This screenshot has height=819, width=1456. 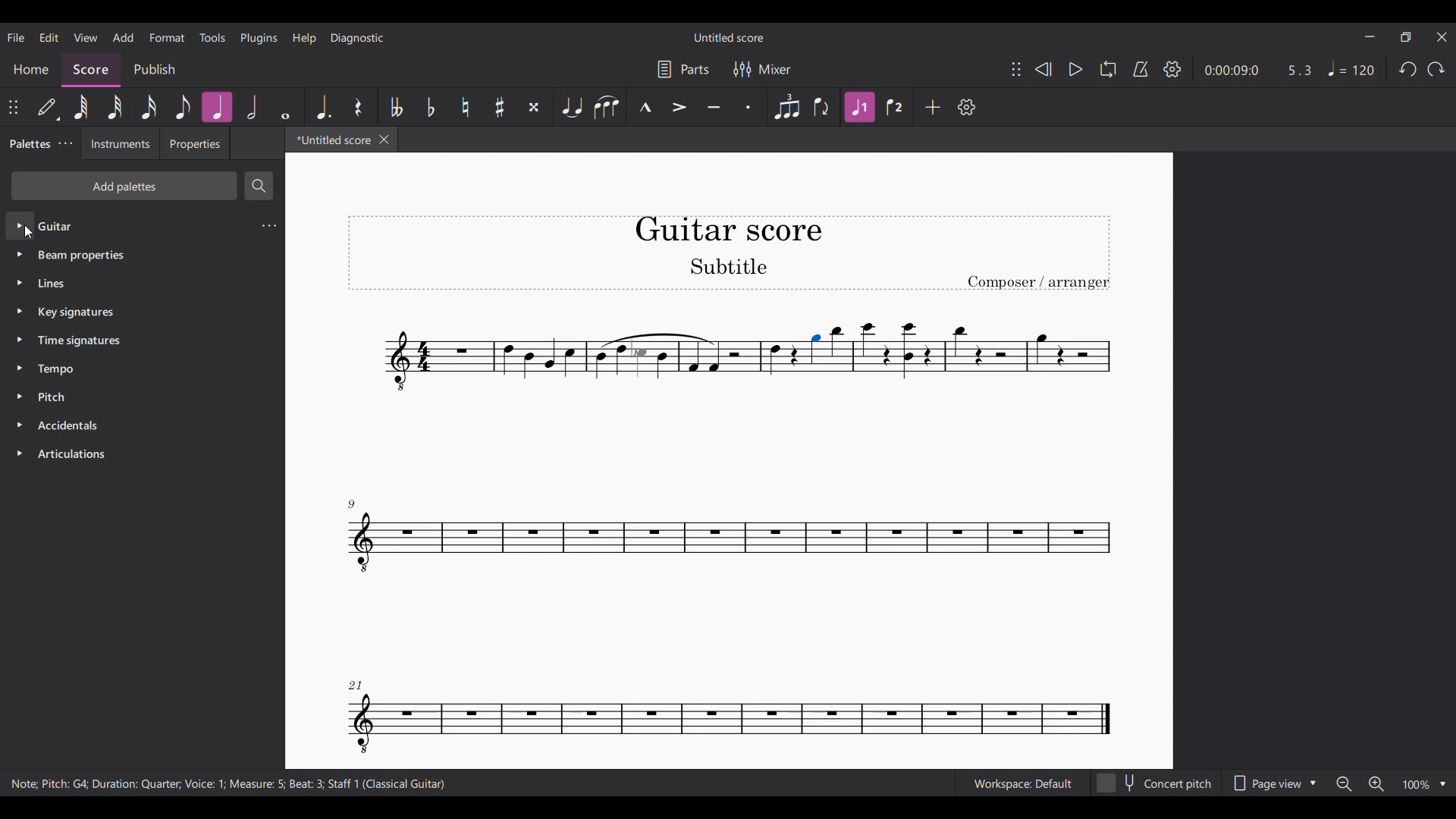 I want to click on Tempo, so click(x=1350, y=68).